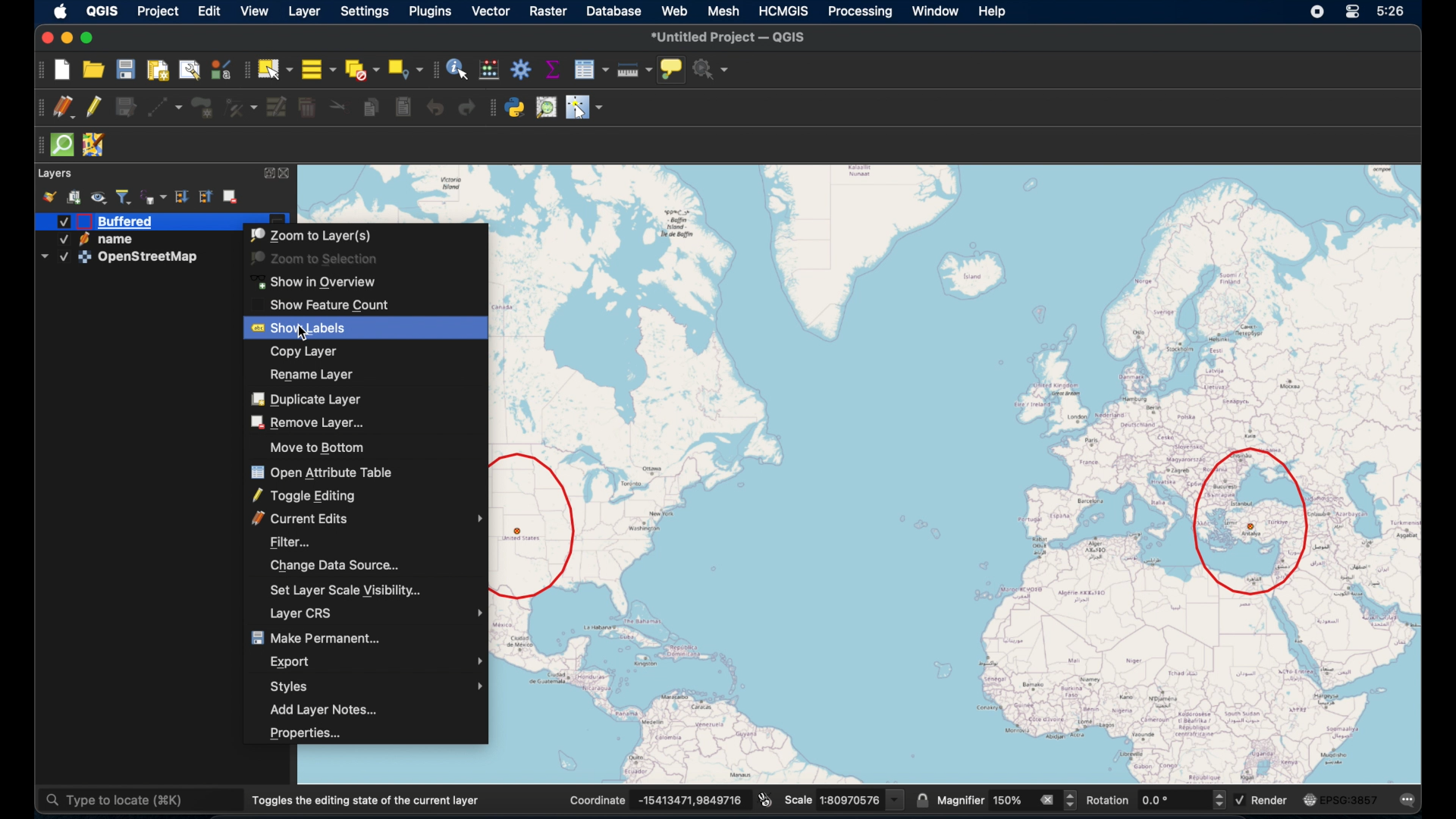 The height and width of the screenshot is (819, 1456). I want to click on show statistical summary, so click(552, 67).